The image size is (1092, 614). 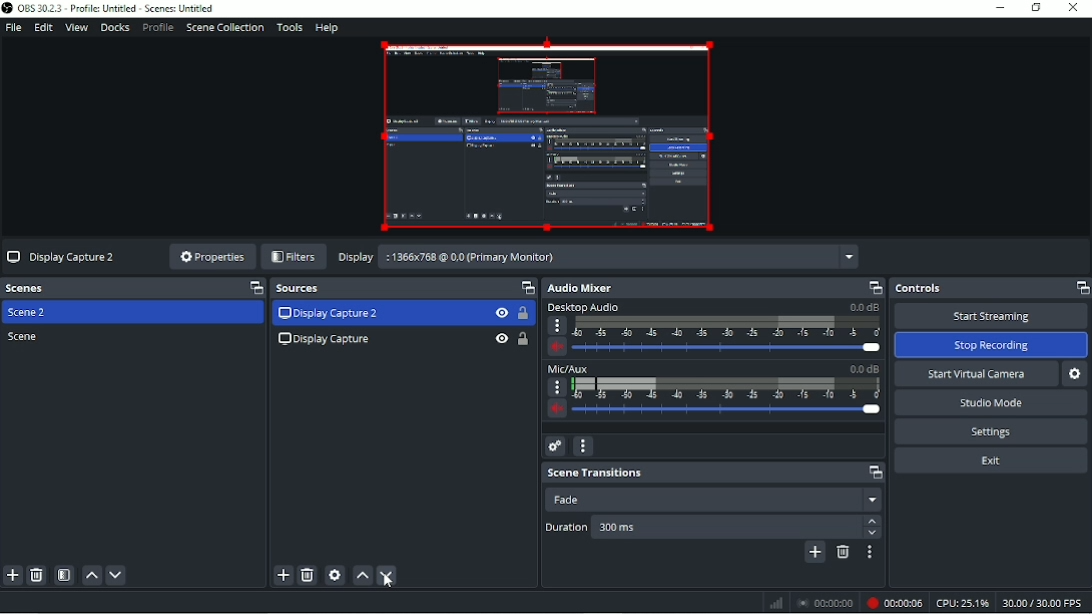 I want to click on Minimize, so click(x=1000, y=7).